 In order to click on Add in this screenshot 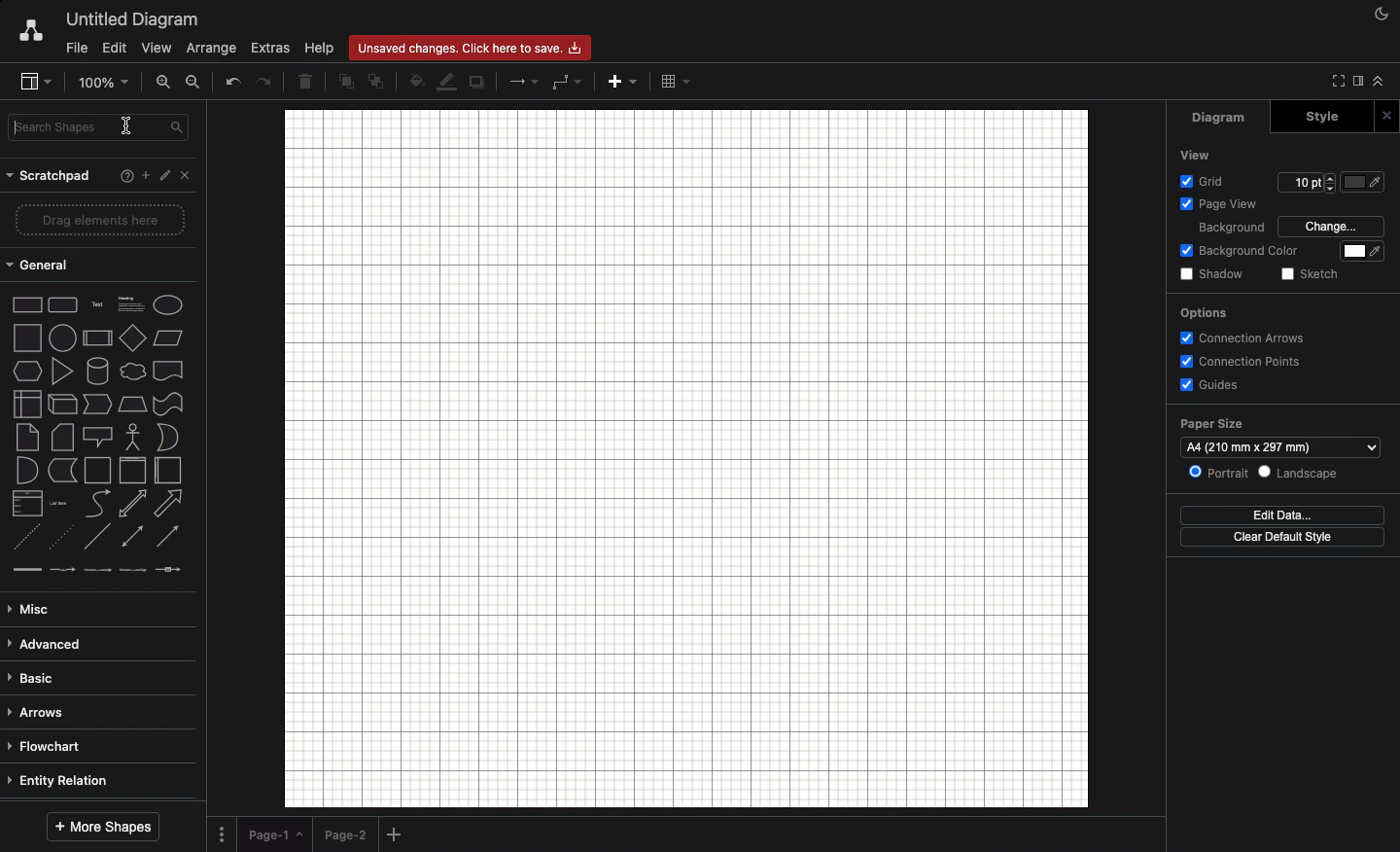, I will do `click(620, 85)`.